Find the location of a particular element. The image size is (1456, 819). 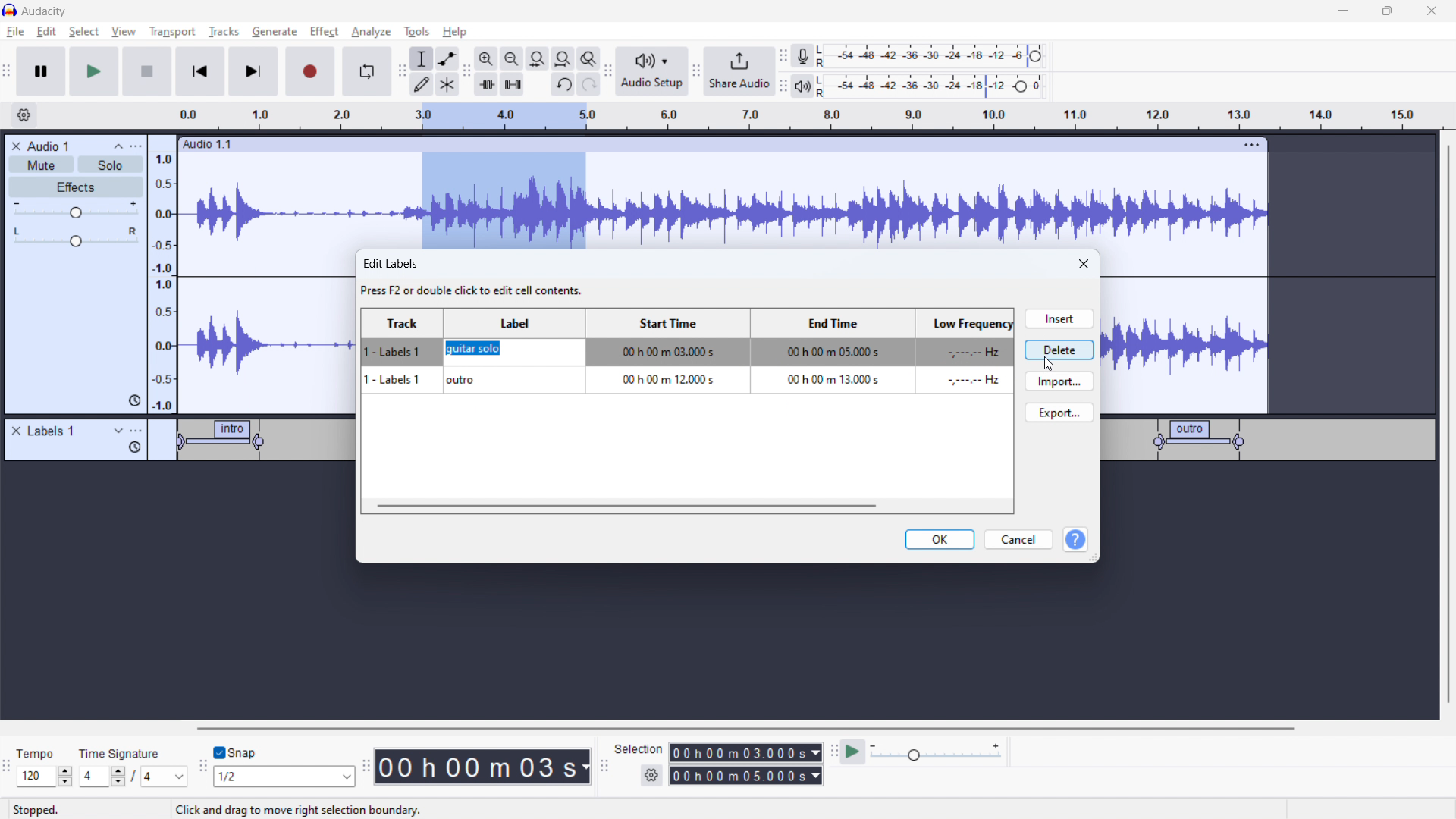

recording level is located at coordinates (940, 56).